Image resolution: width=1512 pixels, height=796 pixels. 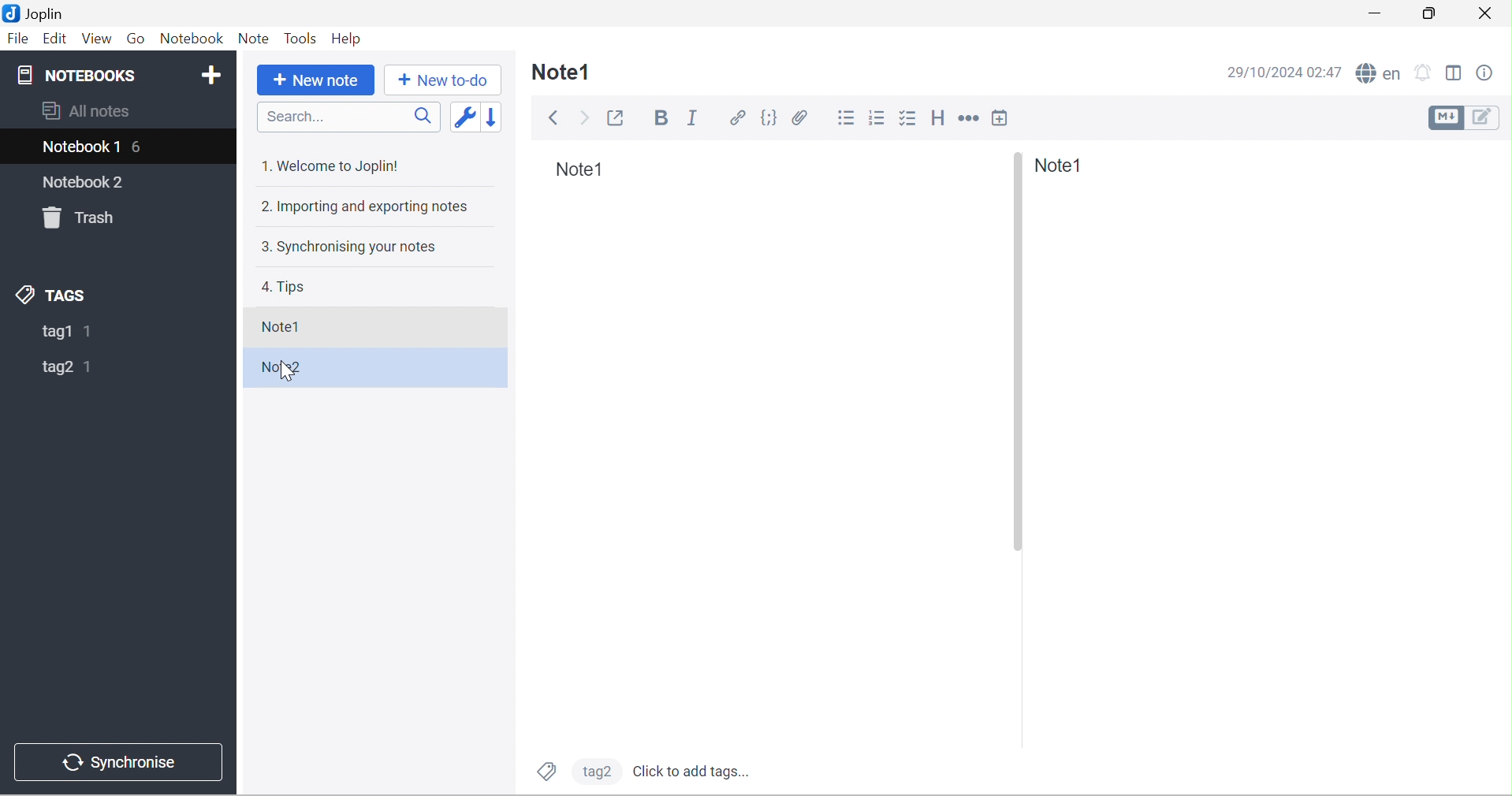 What do you see at coordinates (302, 39) in the screenshot?
I see `Tools` at bounding box center [302, 39].